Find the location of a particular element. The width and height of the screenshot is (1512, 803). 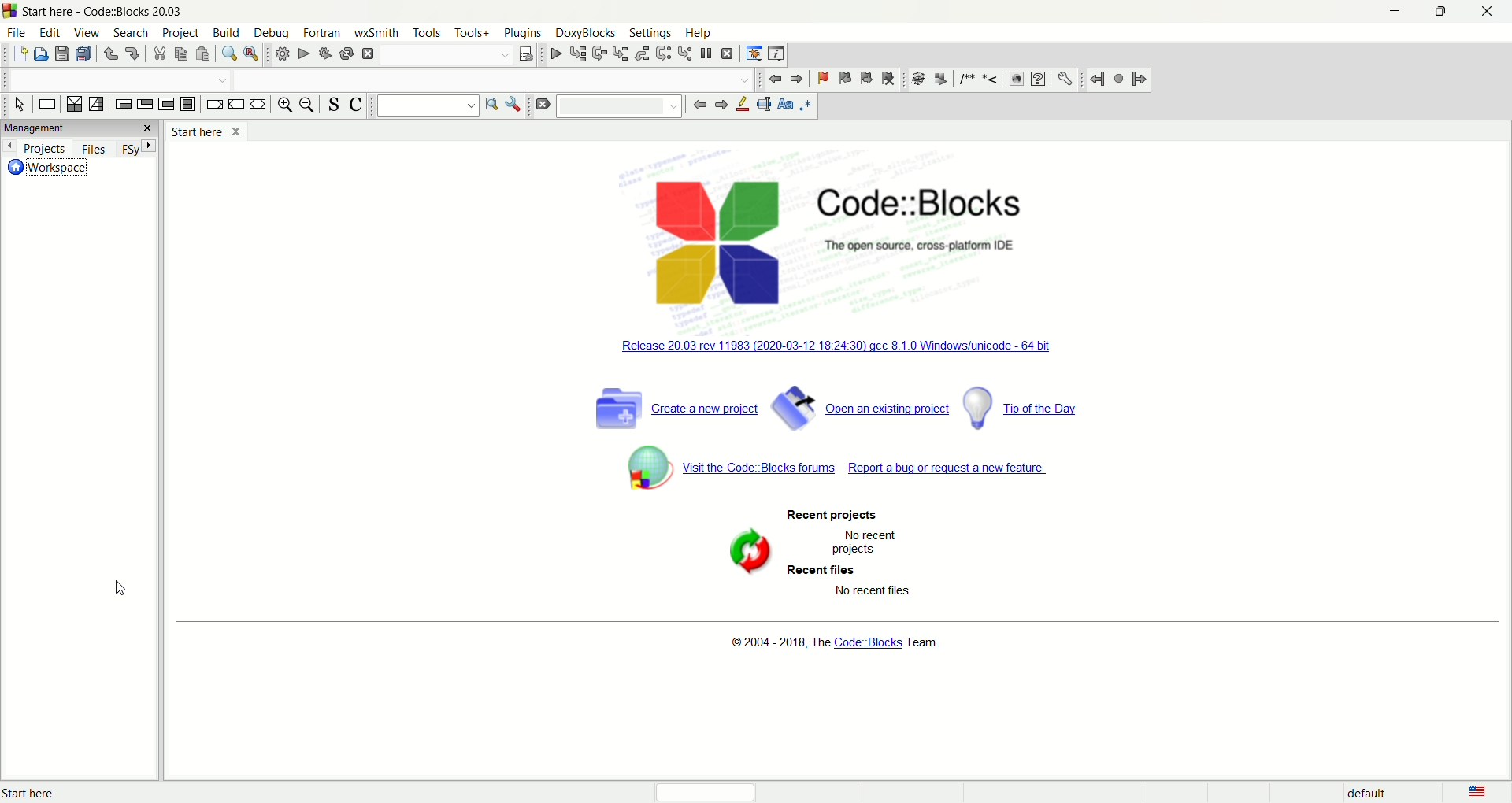

text search is located at coordinates (428, 105).